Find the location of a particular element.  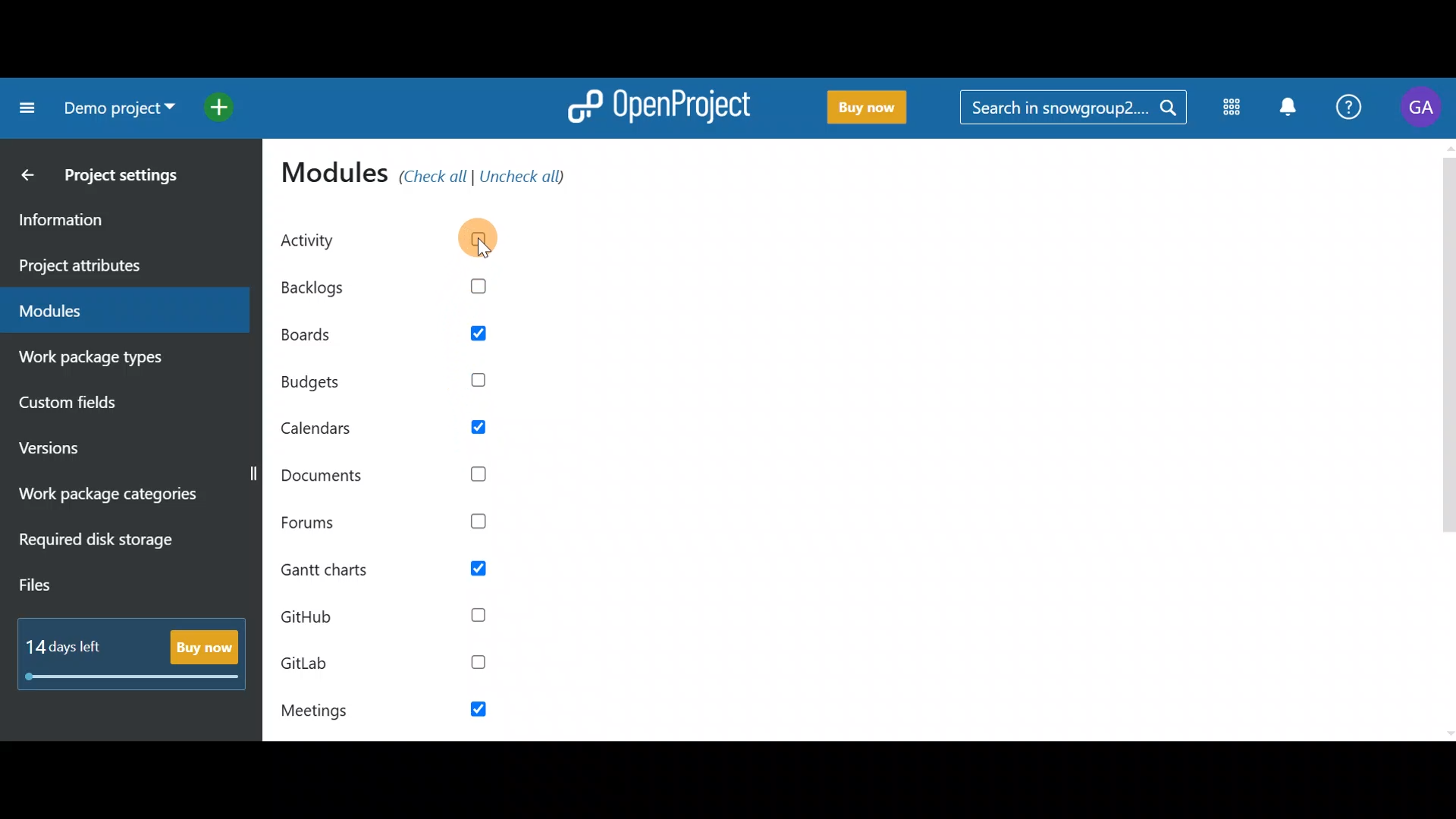

Collapse project menu is located at coordinates (24, 111).